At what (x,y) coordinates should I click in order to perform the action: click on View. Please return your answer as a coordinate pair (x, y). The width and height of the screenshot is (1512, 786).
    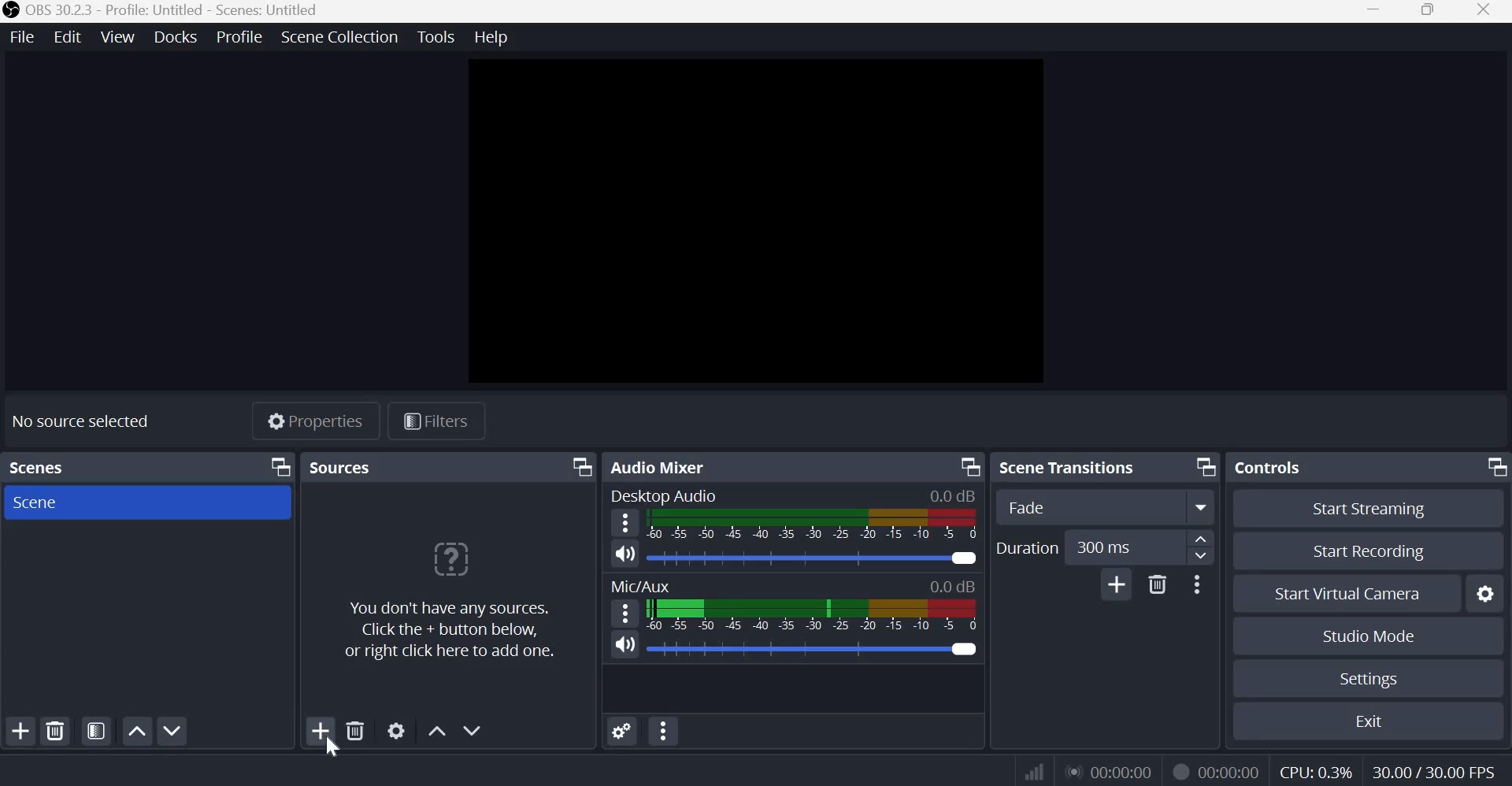
    Looking at the image, I should click on (119, 35).